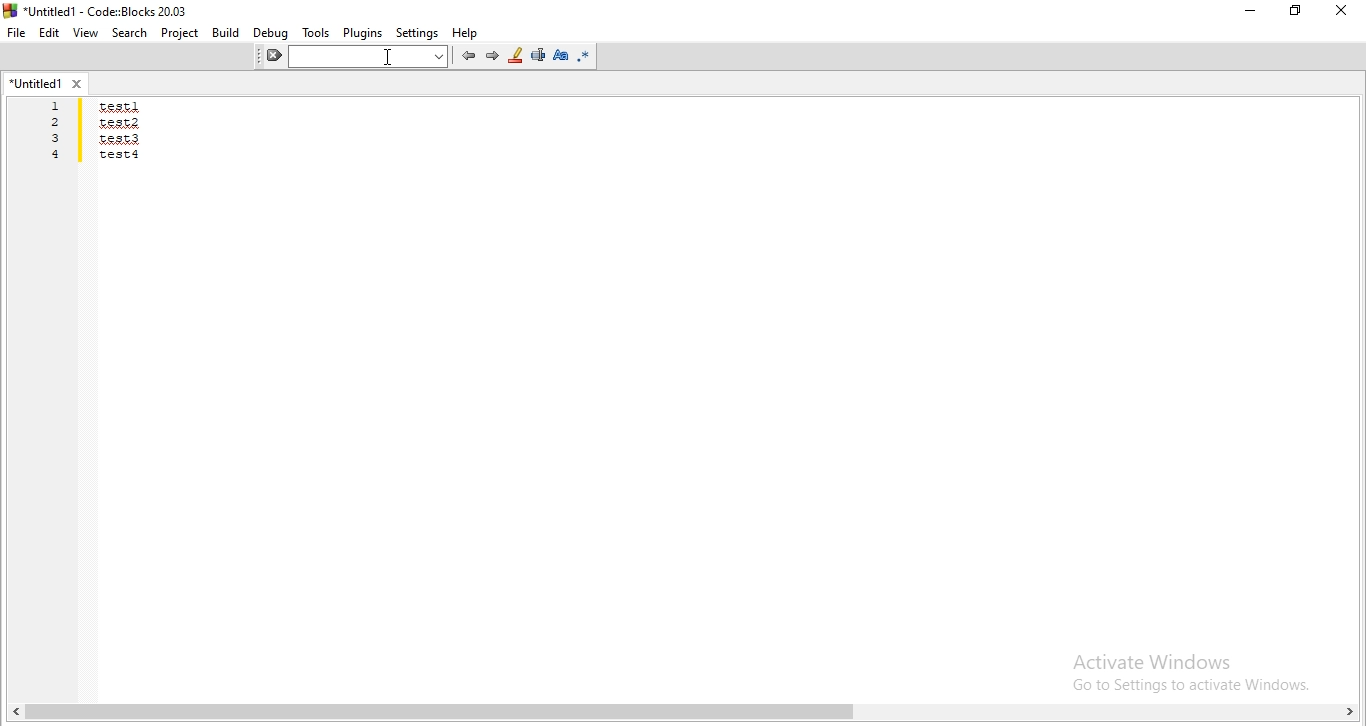 Image resolution: width=1366 pixels, height=726 pixels. I want to click on selected text, so click(536, 57).